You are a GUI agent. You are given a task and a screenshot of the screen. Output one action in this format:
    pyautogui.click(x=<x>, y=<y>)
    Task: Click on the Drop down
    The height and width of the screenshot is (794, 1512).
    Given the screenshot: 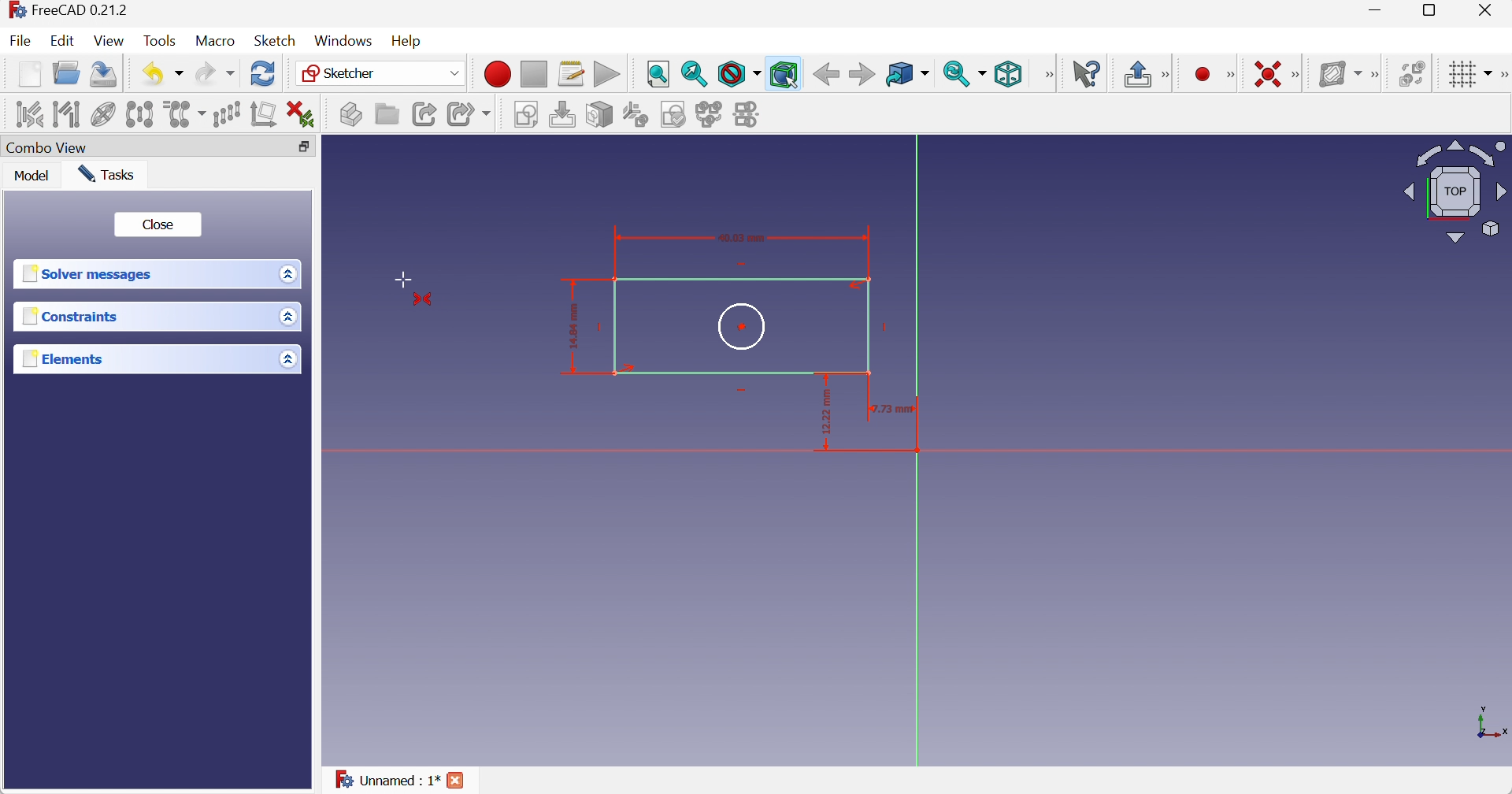 What is the action you would take?
    pyautogui.click(x=291, y=317)
    